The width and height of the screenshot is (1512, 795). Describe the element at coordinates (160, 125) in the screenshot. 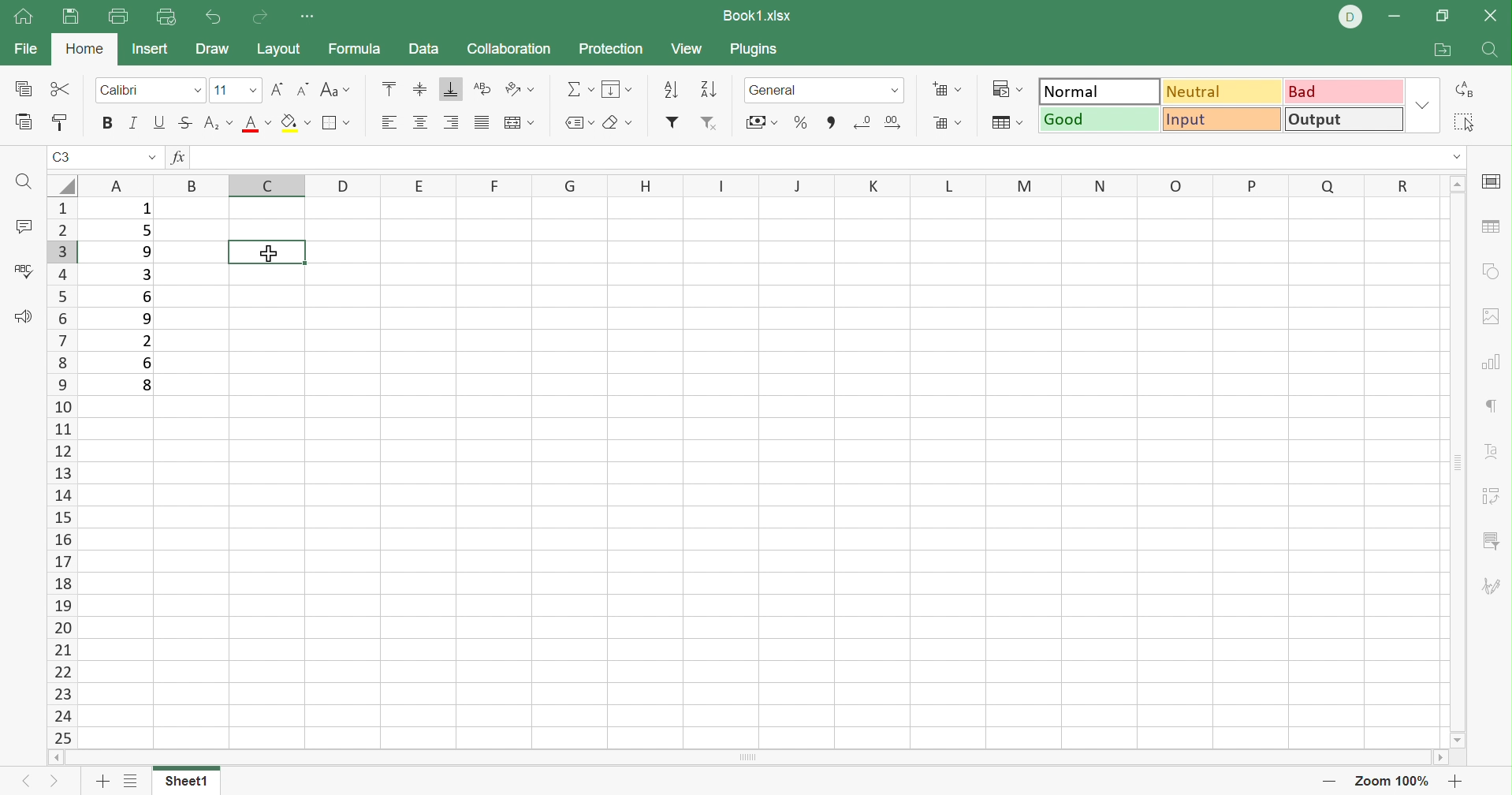

I see `Underline` at that location.